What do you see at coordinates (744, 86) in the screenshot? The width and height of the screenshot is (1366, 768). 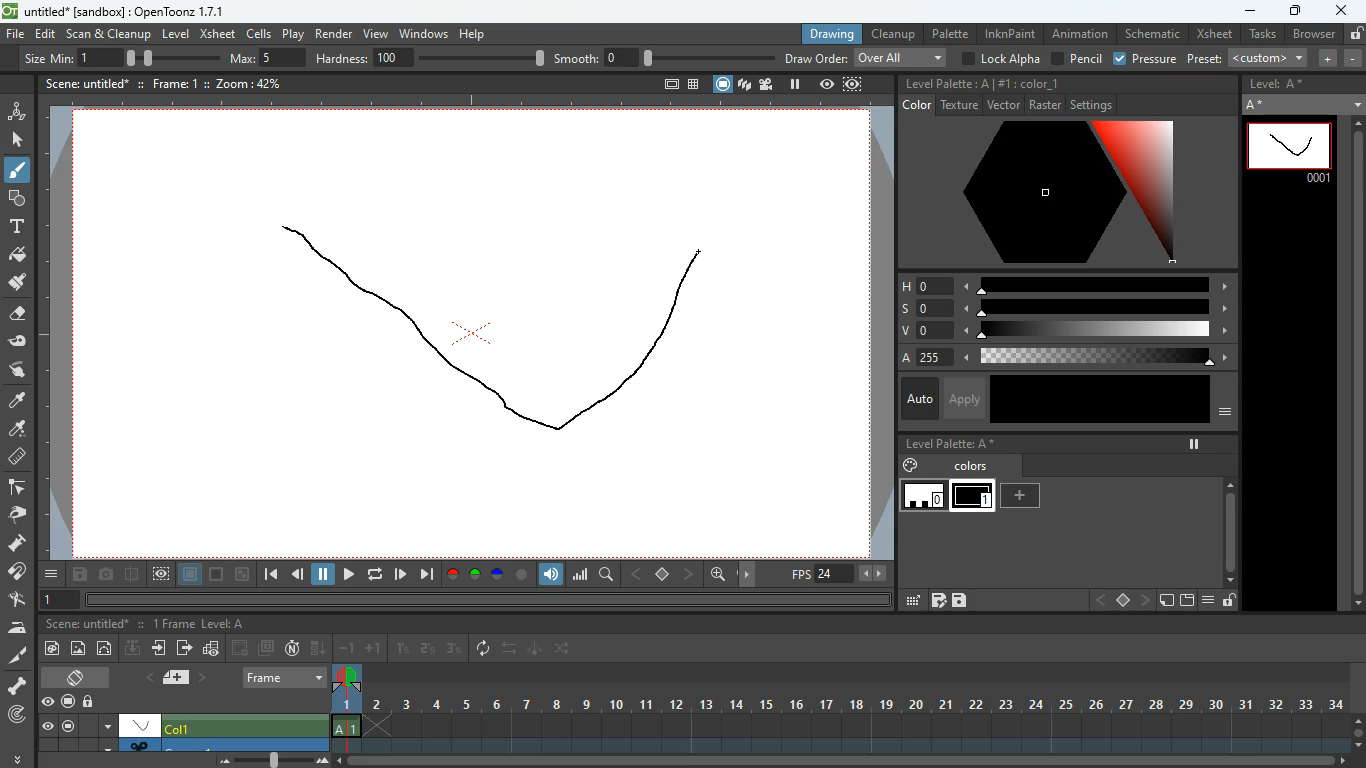 I see `screens` at bounding box center [744, 86].